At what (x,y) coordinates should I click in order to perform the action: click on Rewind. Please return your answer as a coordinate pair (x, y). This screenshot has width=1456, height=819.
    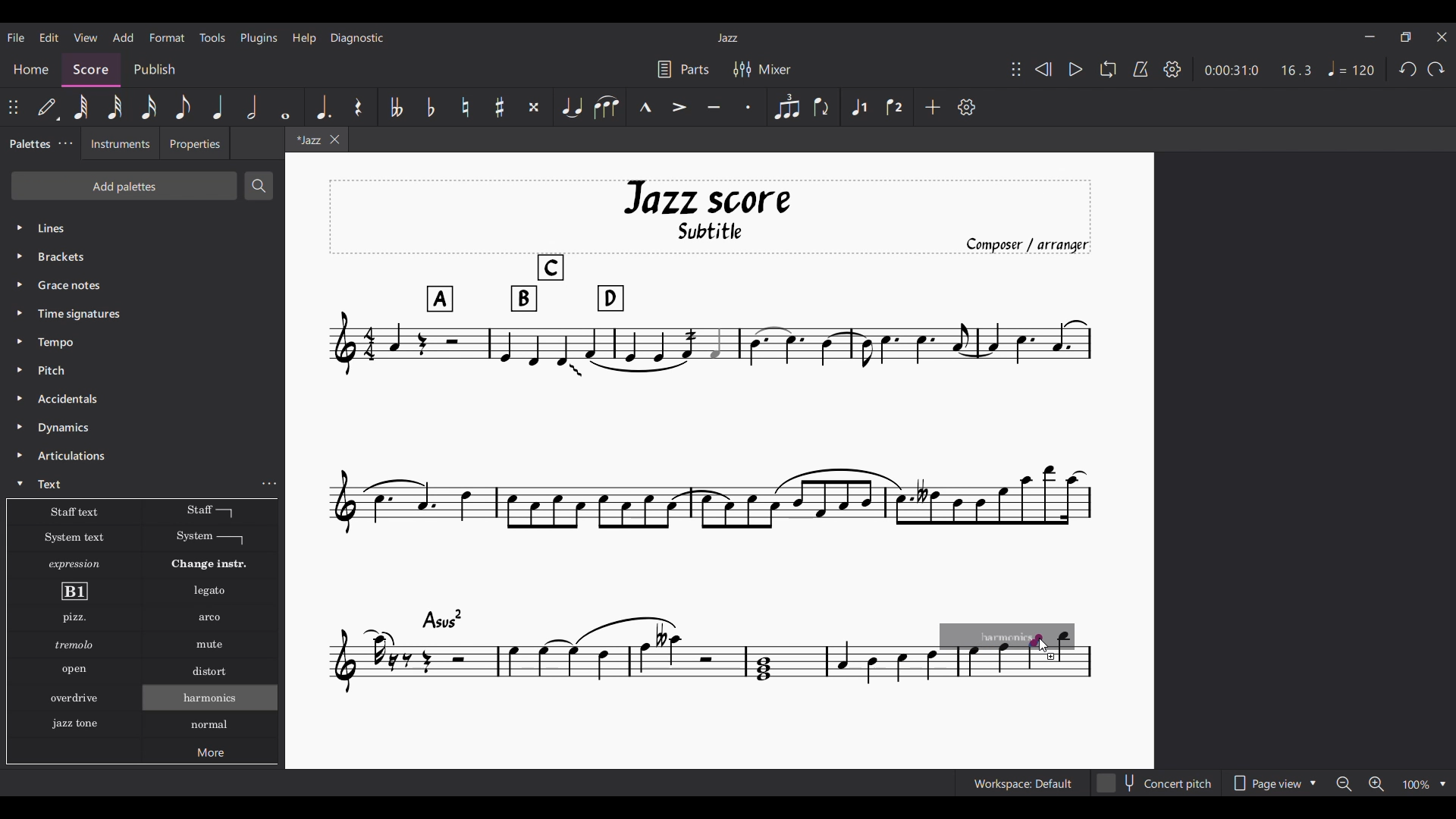
    Looking at the image, I should click on (1043, 69).